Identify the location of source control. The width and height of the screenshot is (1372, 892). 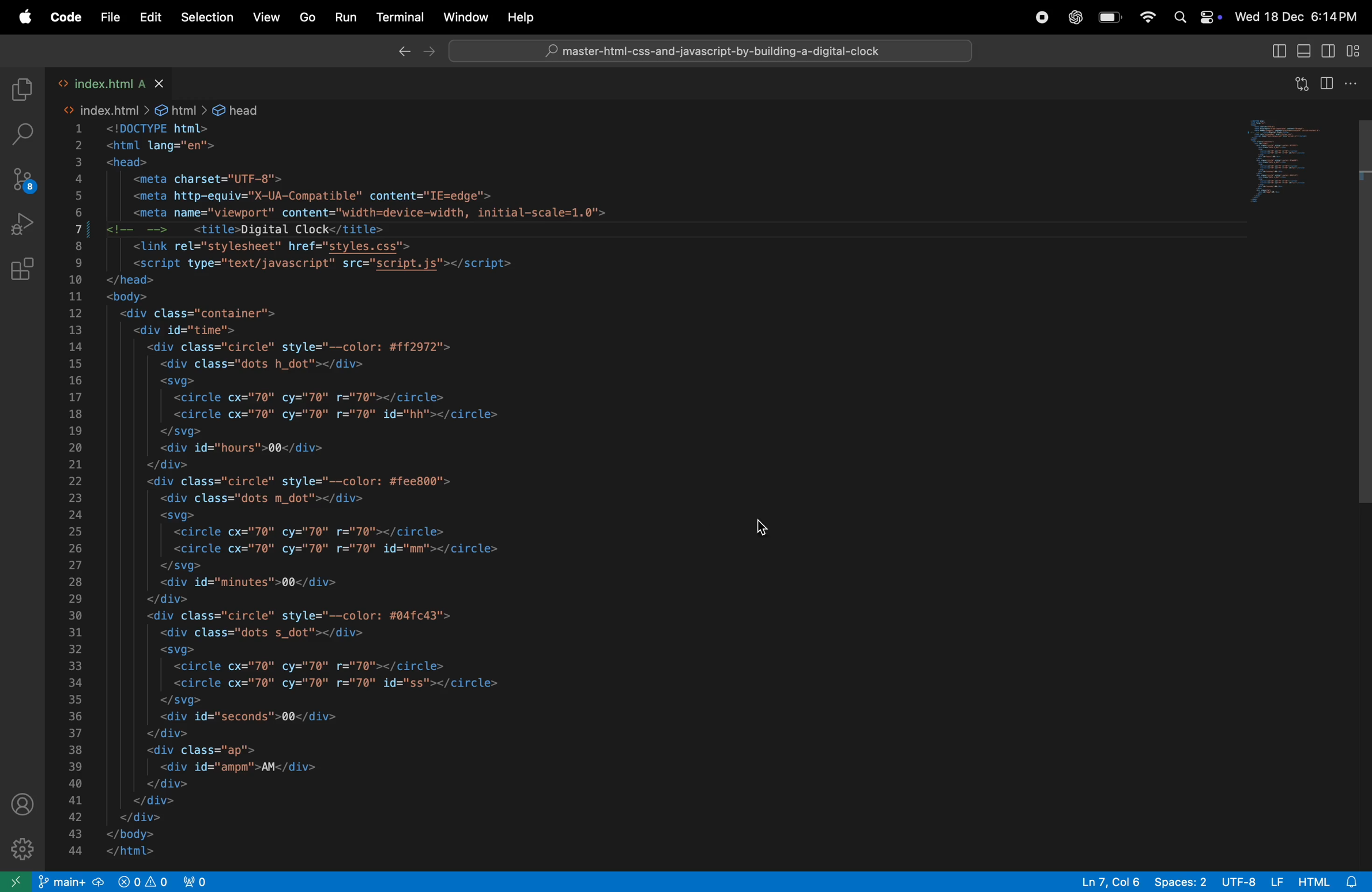
(24, 181).